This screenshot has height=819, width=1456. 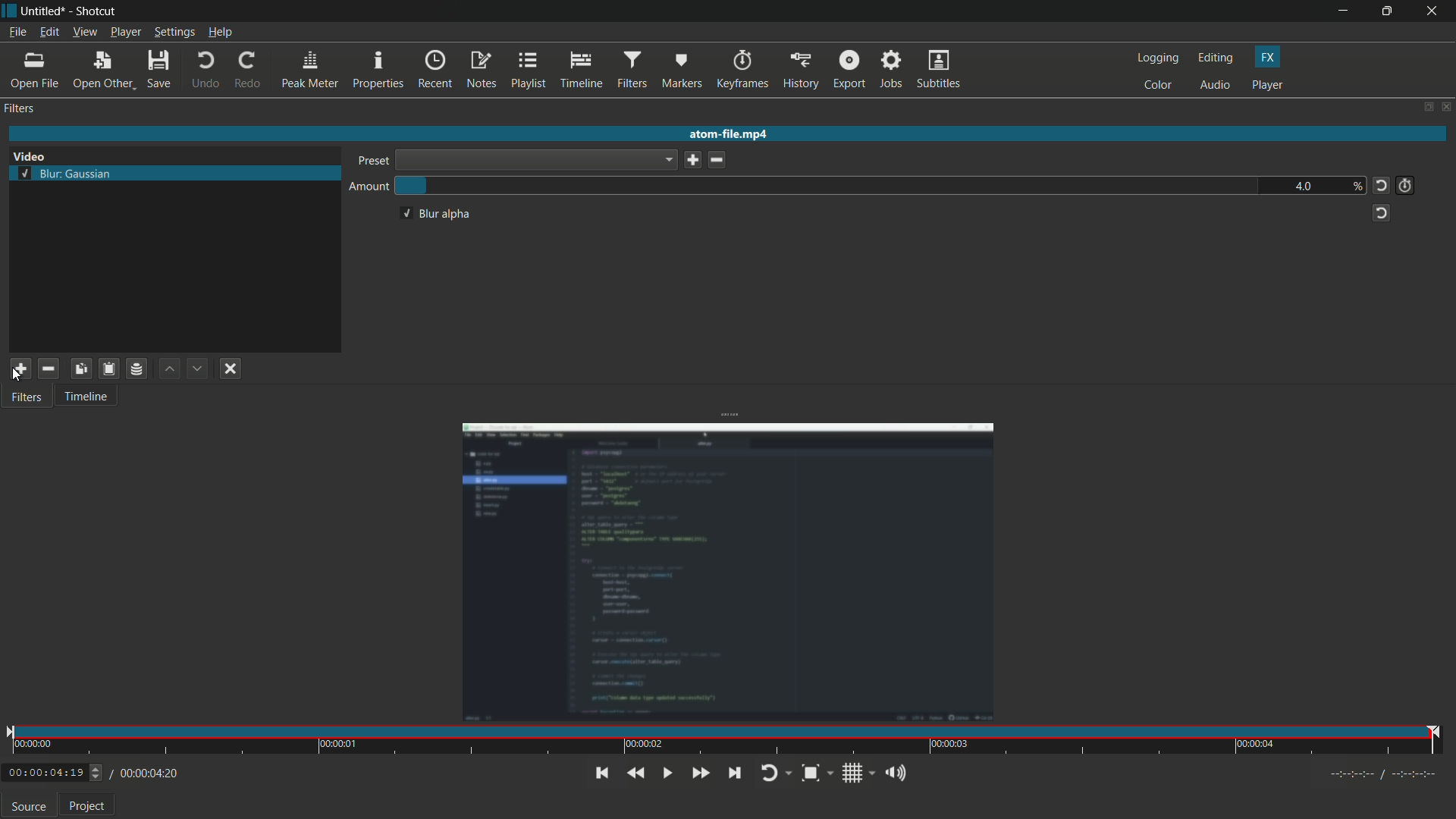 What do you see at coordinates (49, 368) in the screenshot?
I see `remove selected filter` at bounding box center [49, 368].